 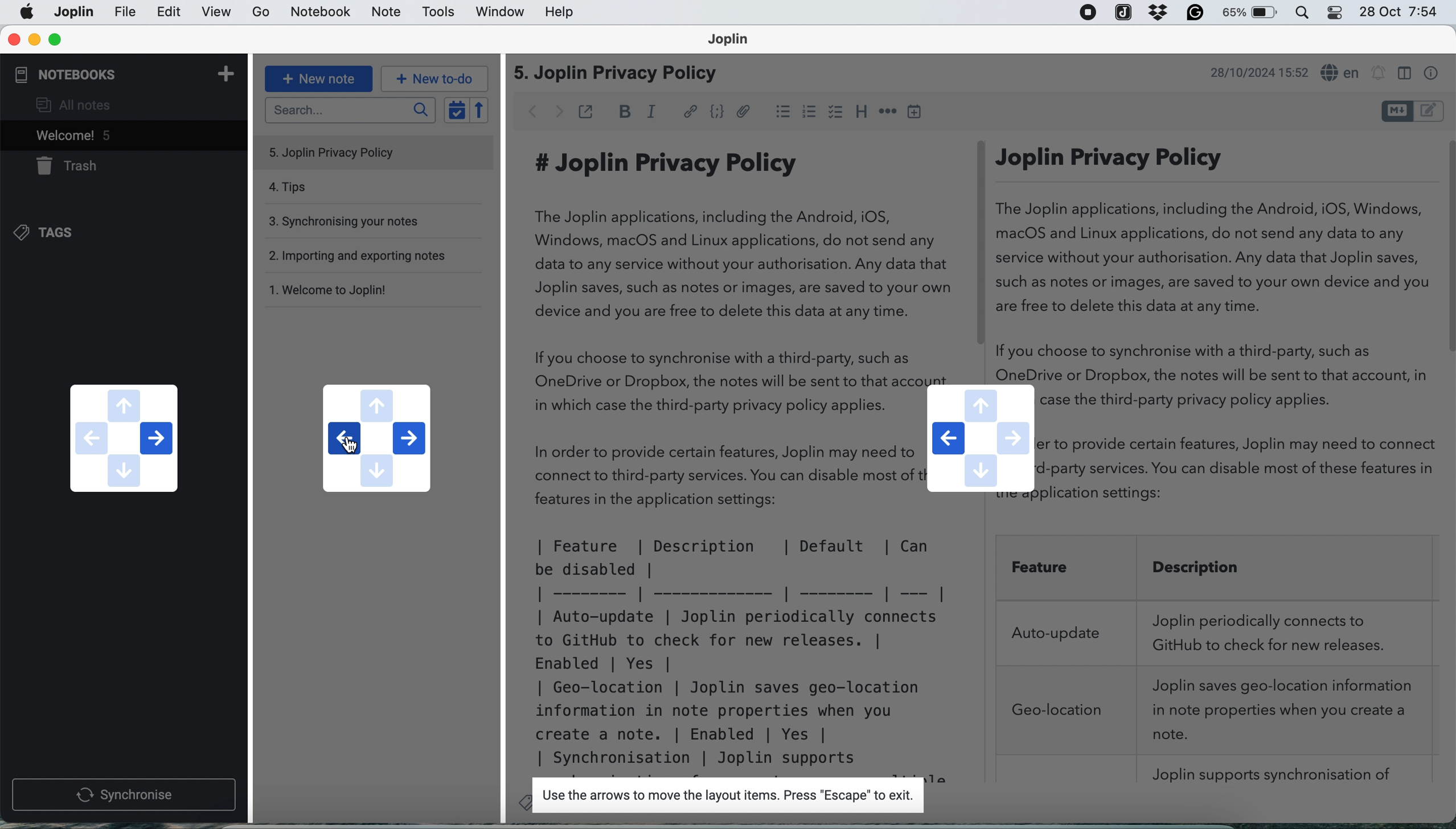 I want to click on Use the arrows to move the layout items. Press "Escape" to exit., so click(x=725, y=796).